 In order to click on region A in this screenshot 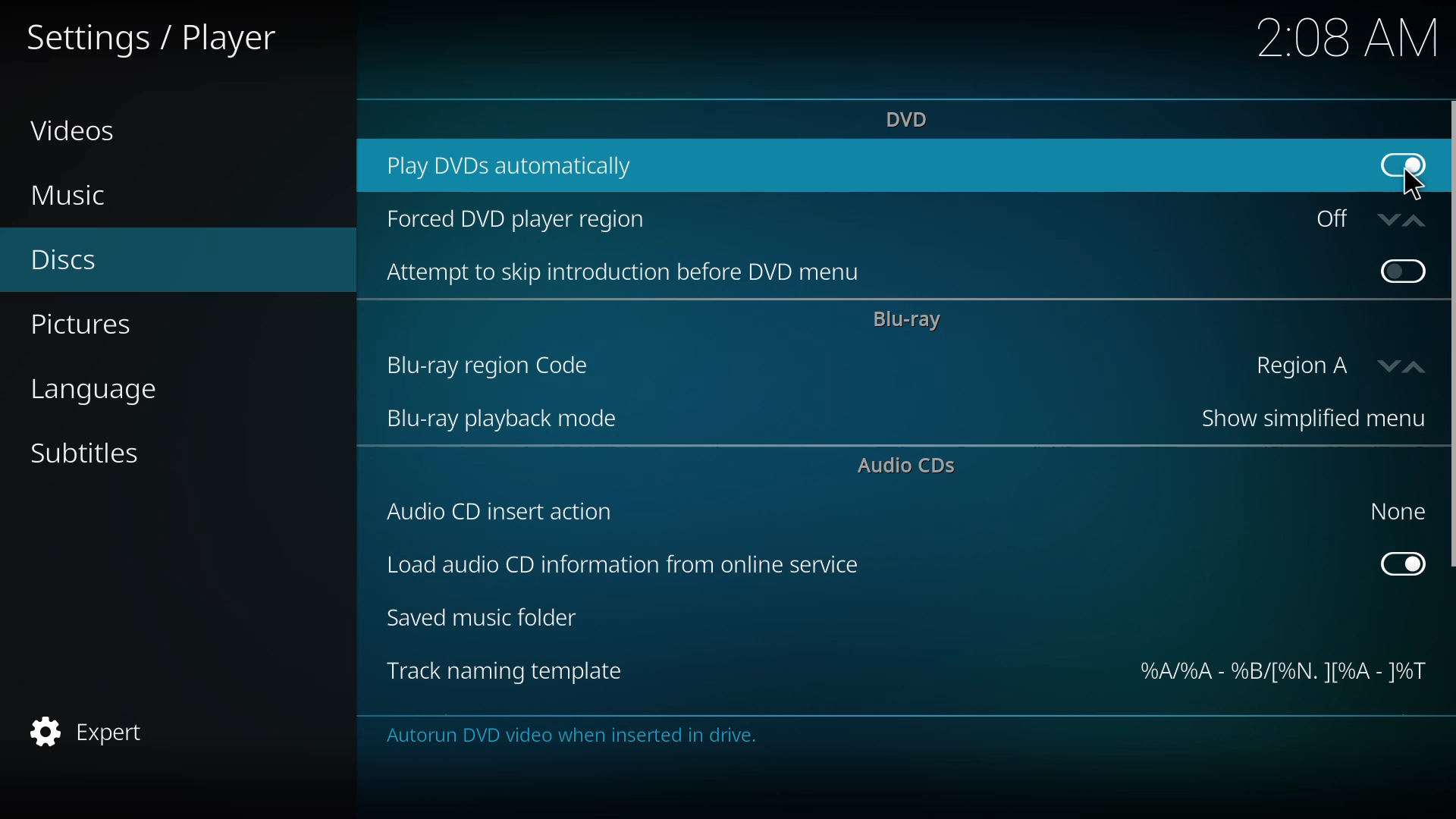, I will do `click(1330, 365)`.